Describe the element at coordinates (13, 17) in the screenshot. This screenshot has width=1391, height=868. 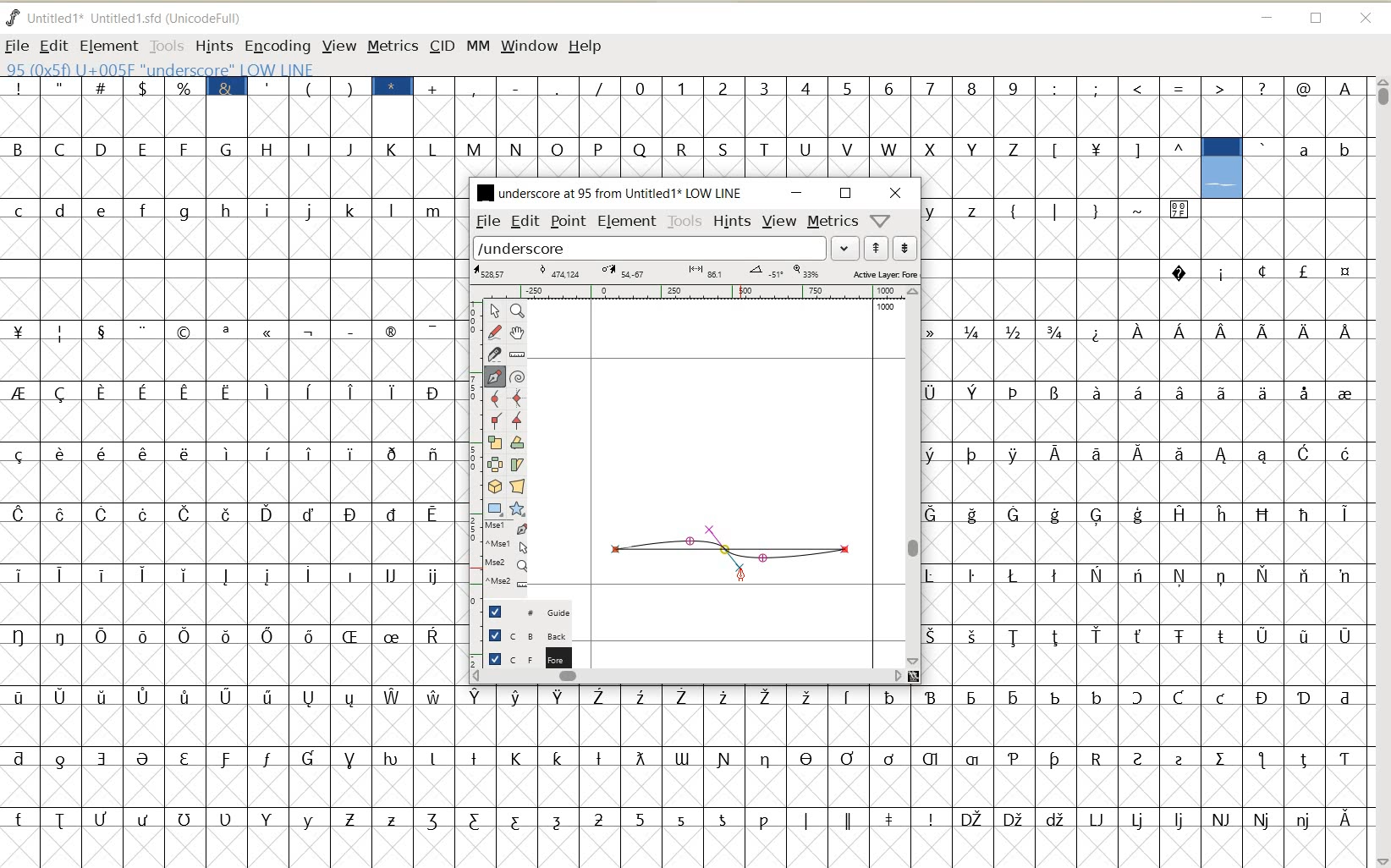
I see `FONTFORGE` at that location.